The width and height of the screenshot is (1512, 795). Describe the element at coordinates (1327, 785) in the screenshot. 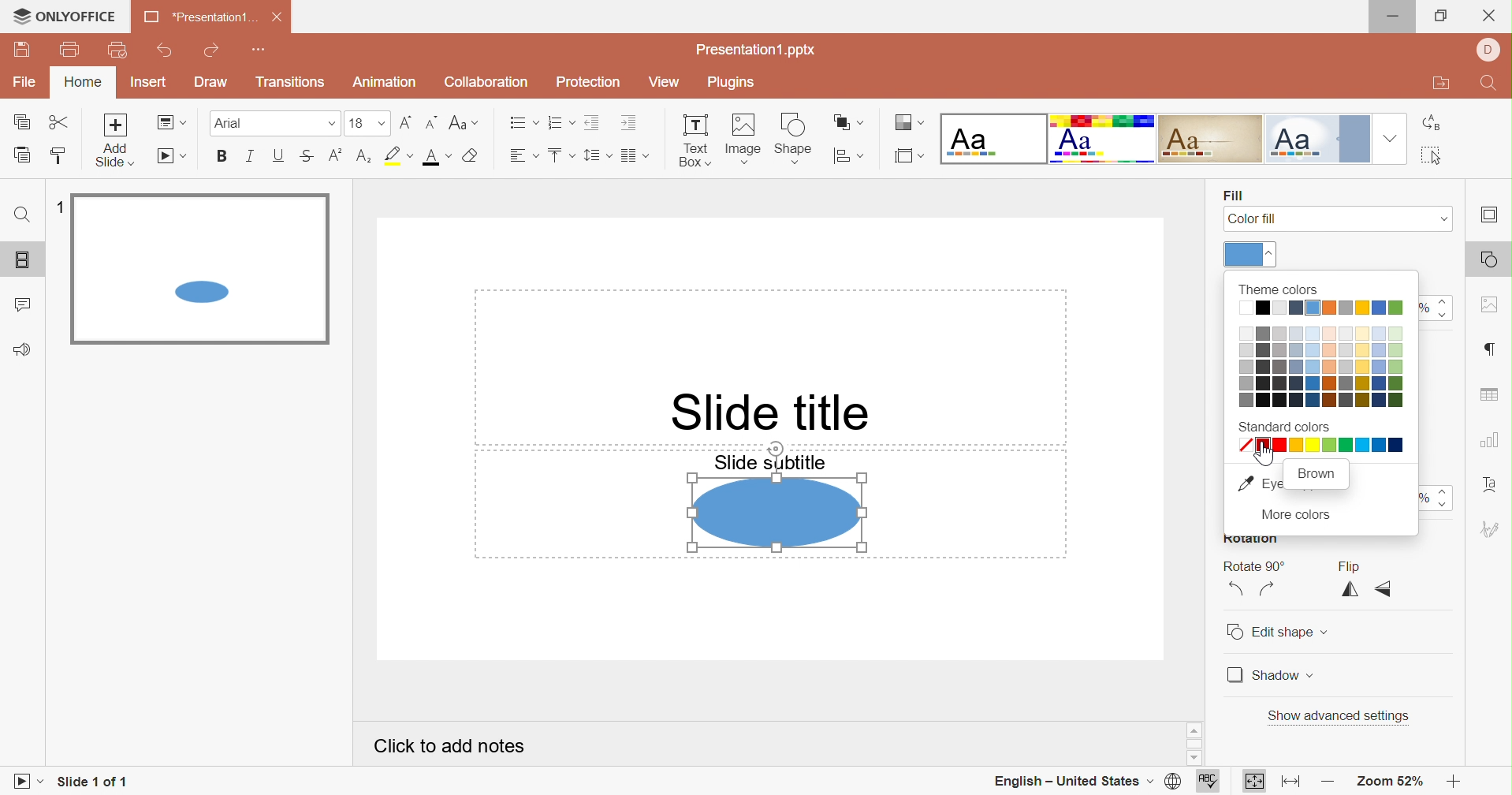

I see `Zoom out` at that location.